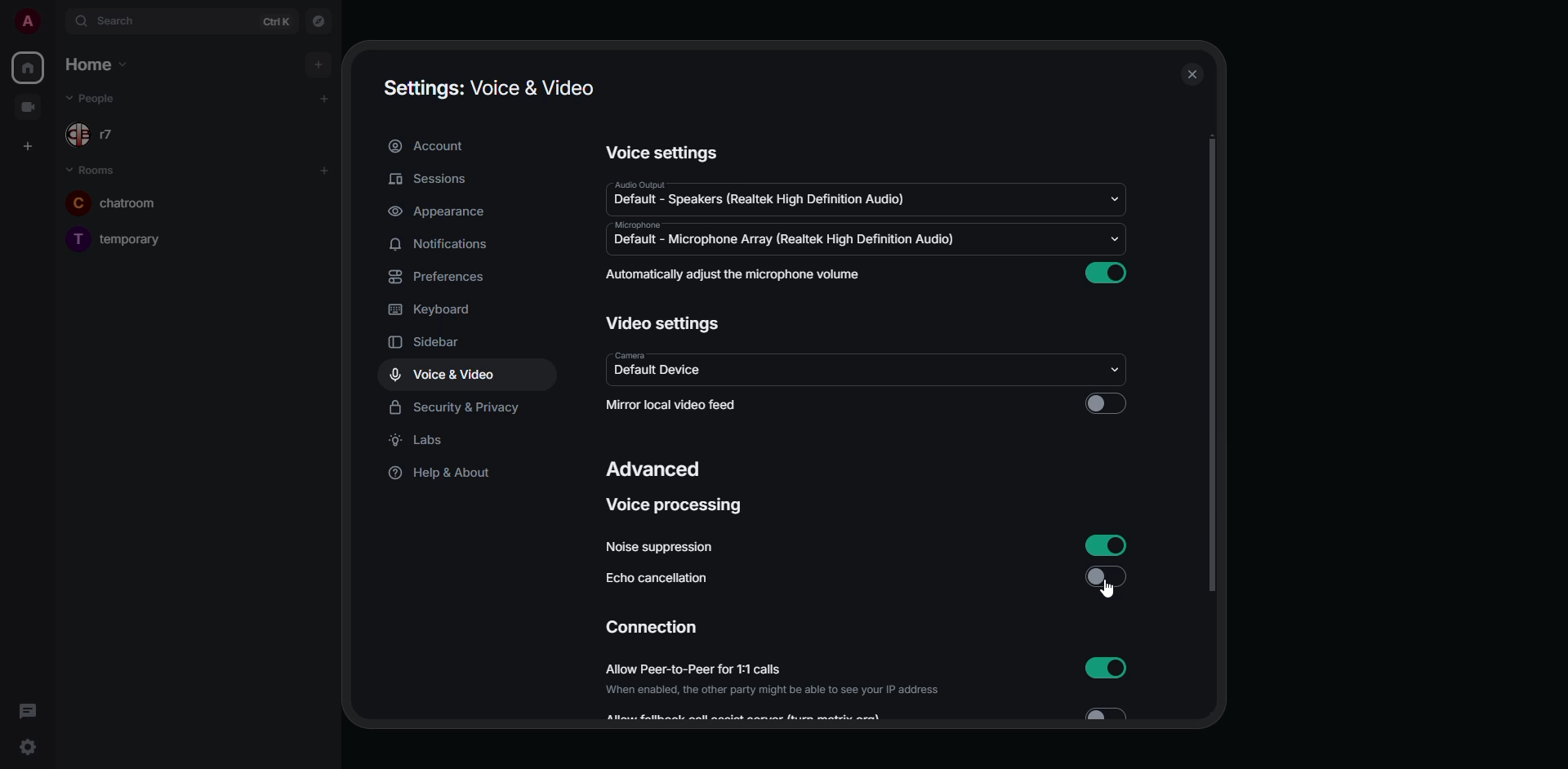 The height and width of the screenshot is (769, 1568). I want to click on drop down, so click(1116, 238).